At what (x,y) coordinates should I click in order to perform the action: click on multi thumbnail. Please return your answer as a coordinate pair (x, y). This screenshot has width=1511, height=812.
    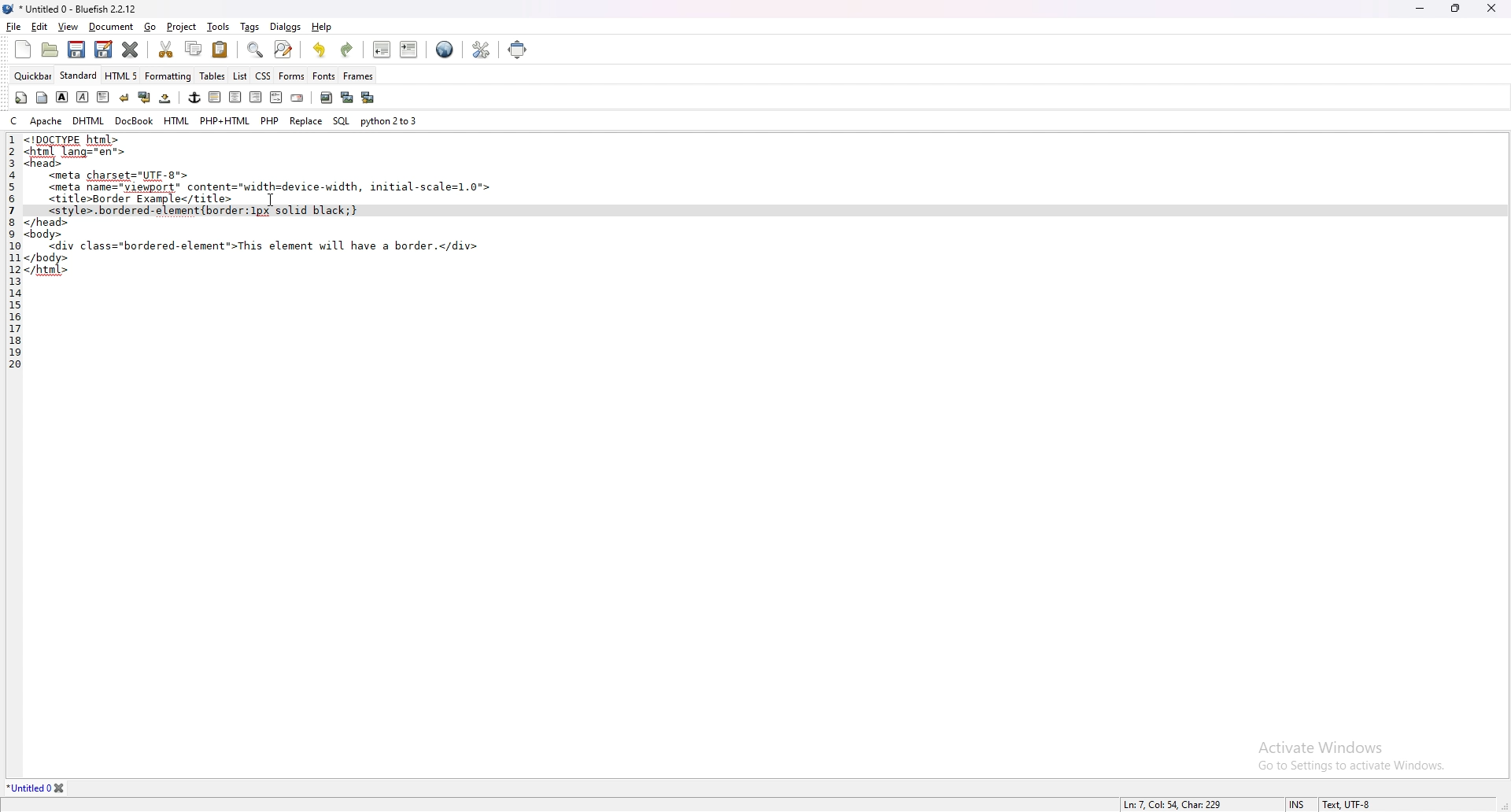
    Looking at the image, I should click on (370, 97).